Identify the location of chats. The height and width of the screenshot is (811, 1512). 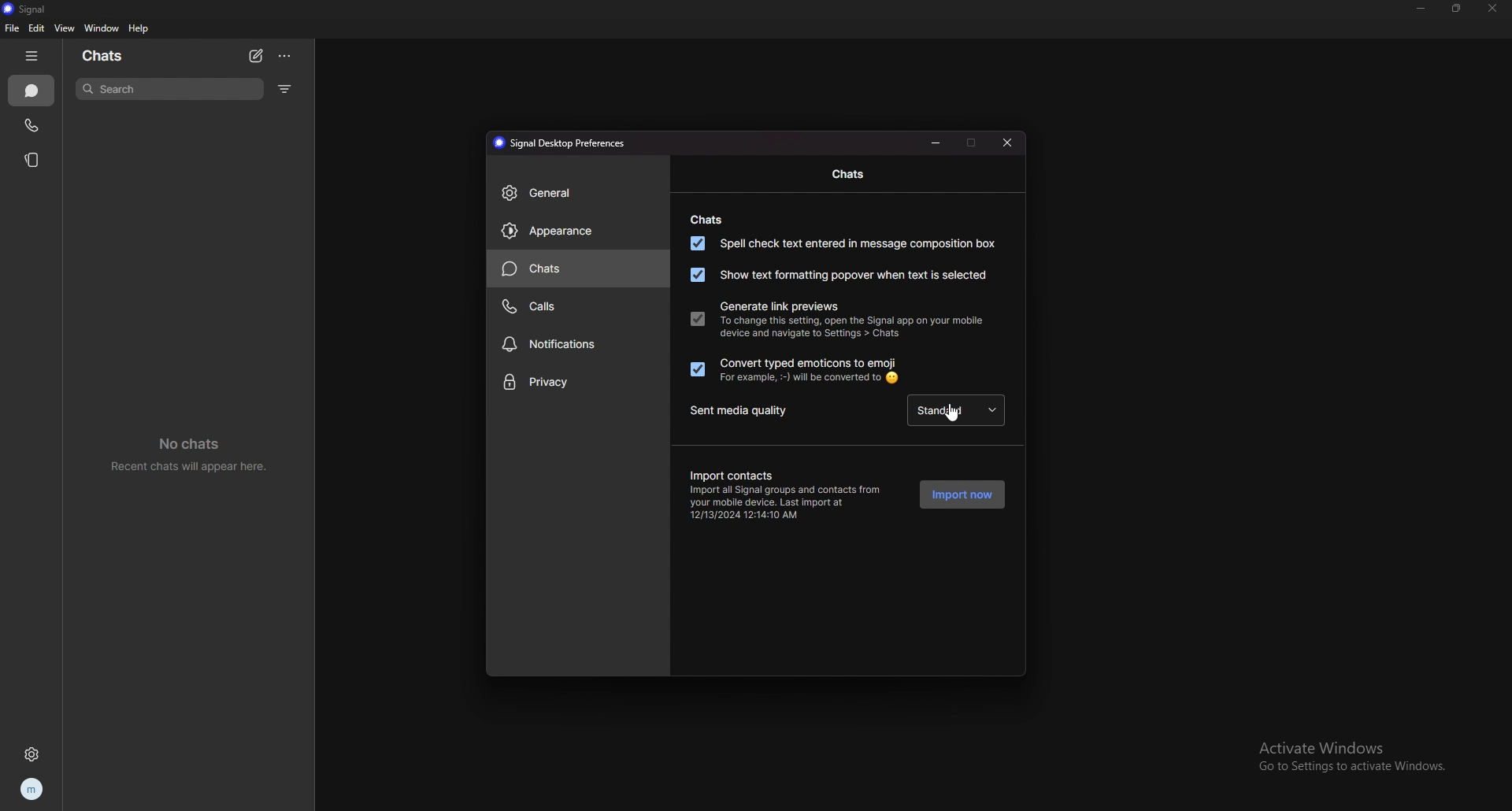
(850, 175).